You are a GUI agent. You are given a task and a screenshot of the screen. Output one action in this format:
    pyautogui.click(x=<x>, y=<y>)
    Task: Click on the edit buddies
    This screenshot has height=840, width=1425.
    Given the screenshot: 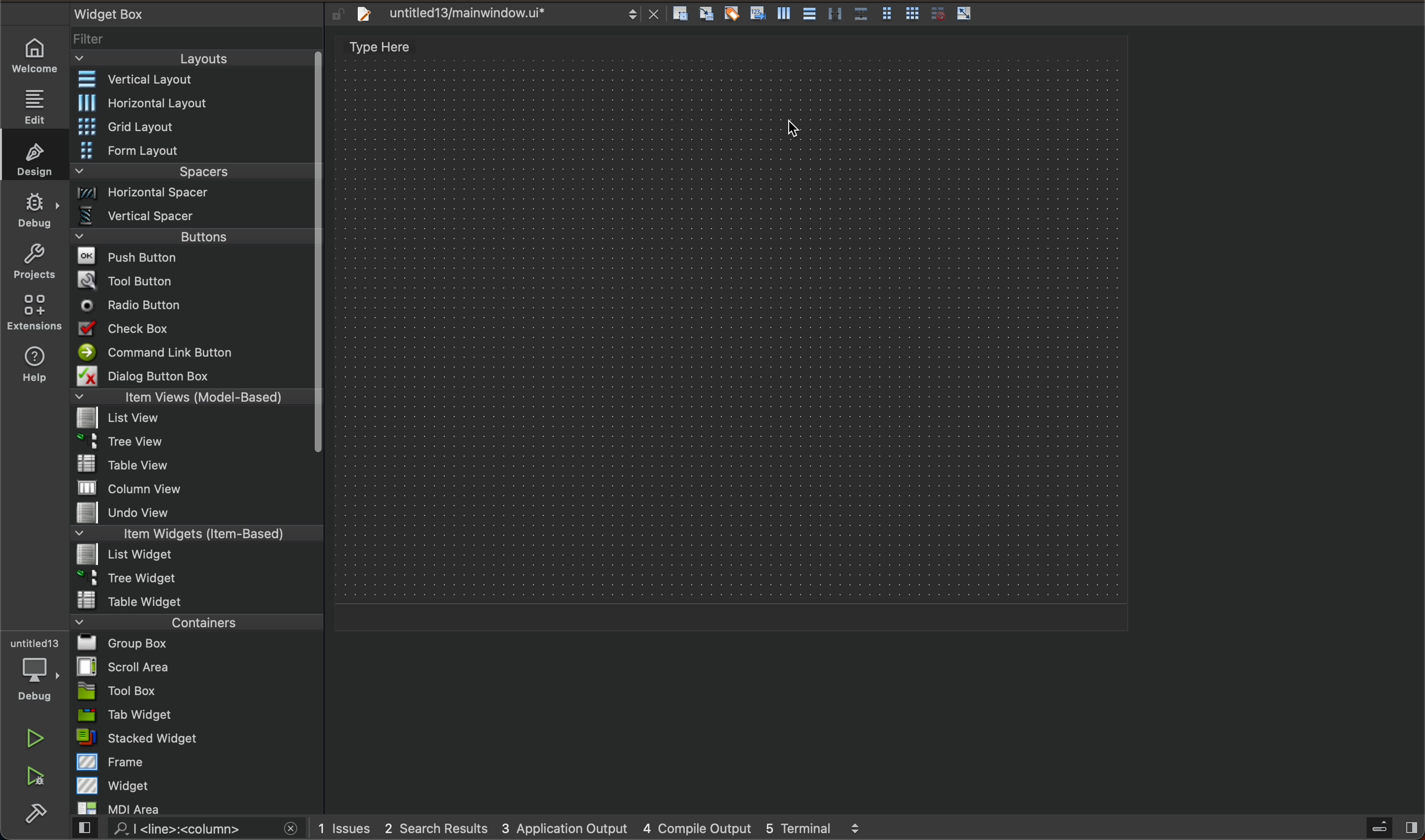 What is the action you would take?
    pyautogui.click(x=734, y=13)
    